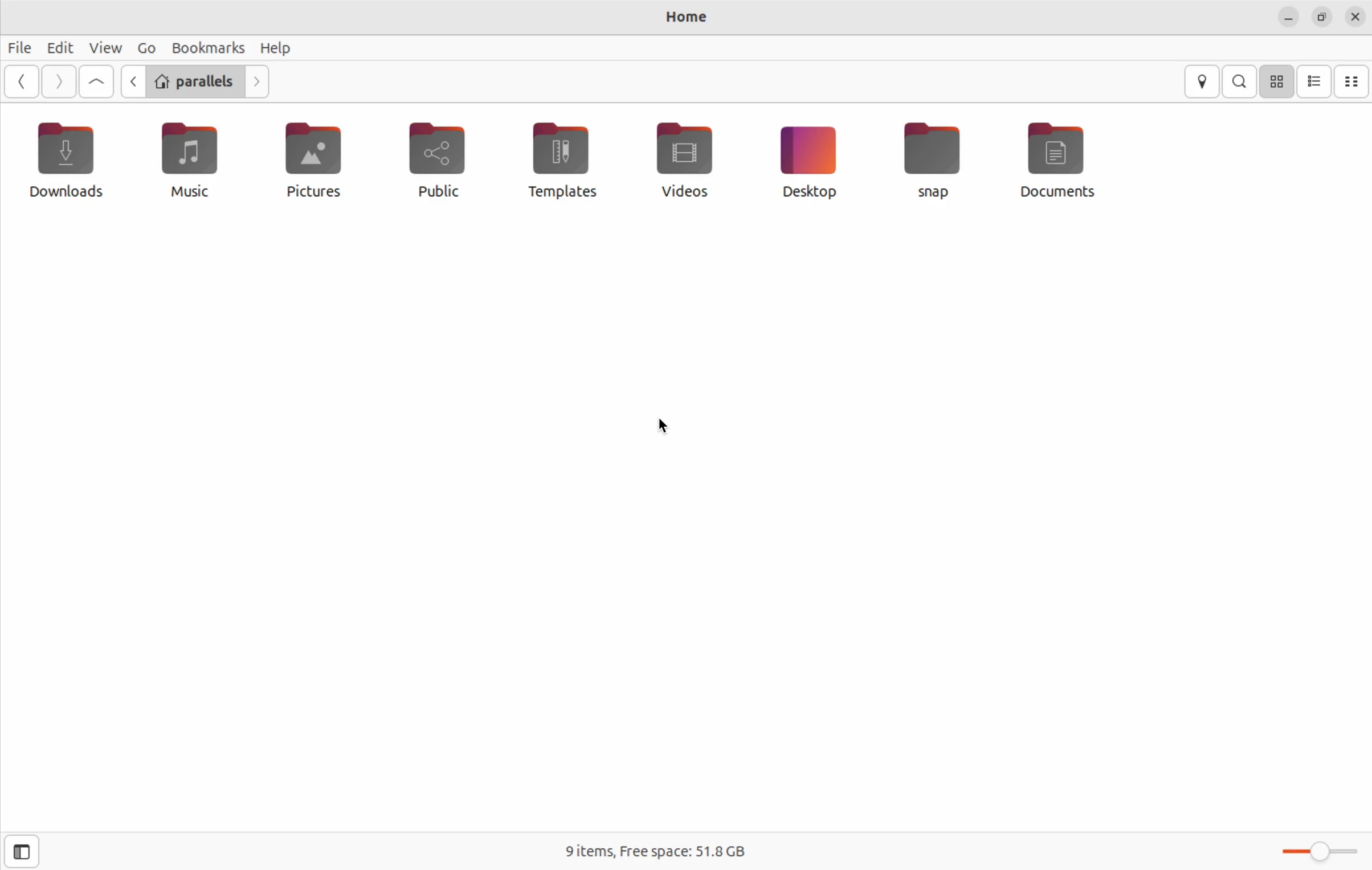 The image size is (1372, 870). What do you see at coordinates (196, 80) in the screenshot?
I see `parallels` at bounding box center [196, 80].